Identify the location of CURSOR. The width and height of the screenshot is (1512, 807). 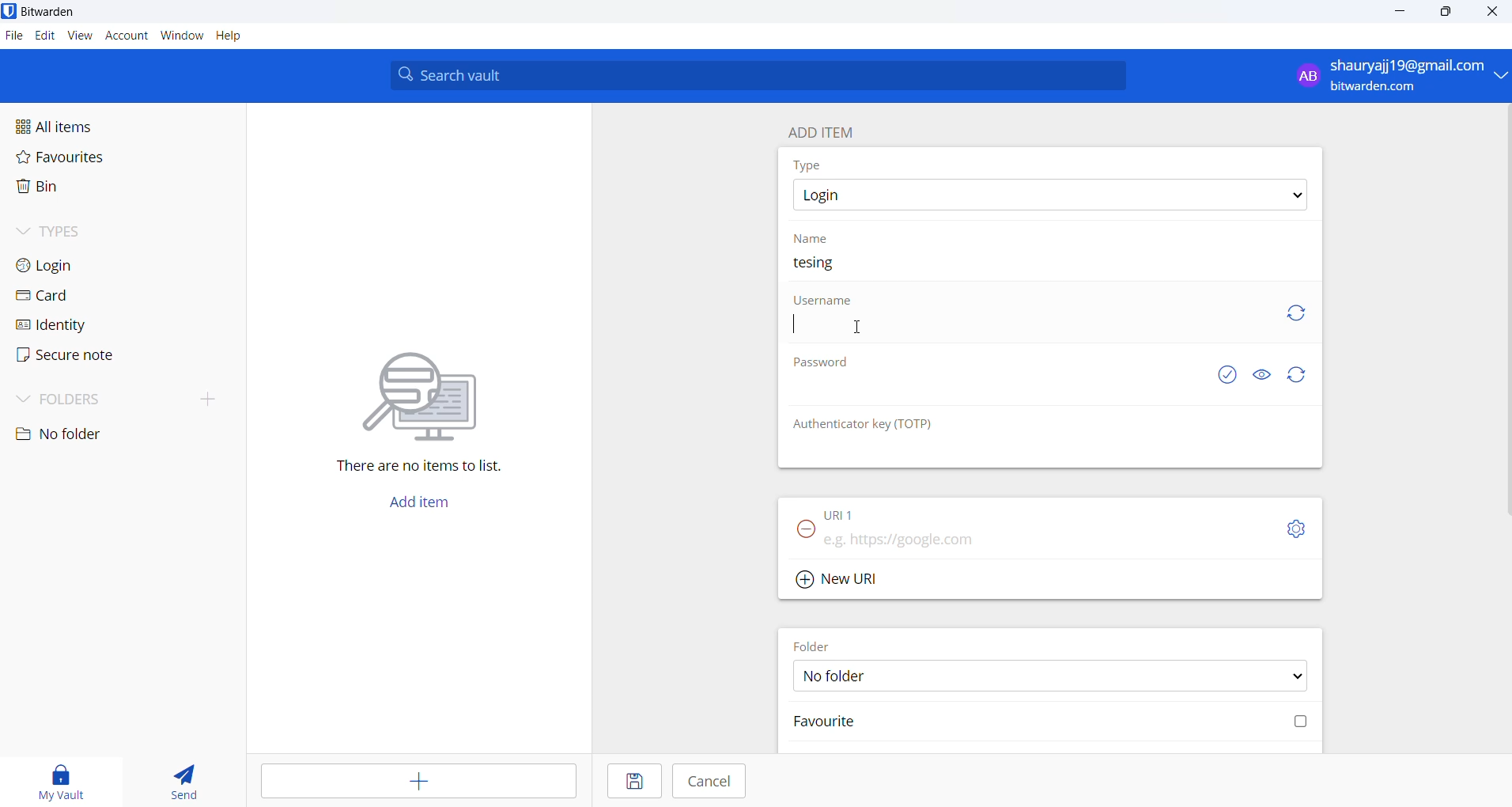
(854, 324).